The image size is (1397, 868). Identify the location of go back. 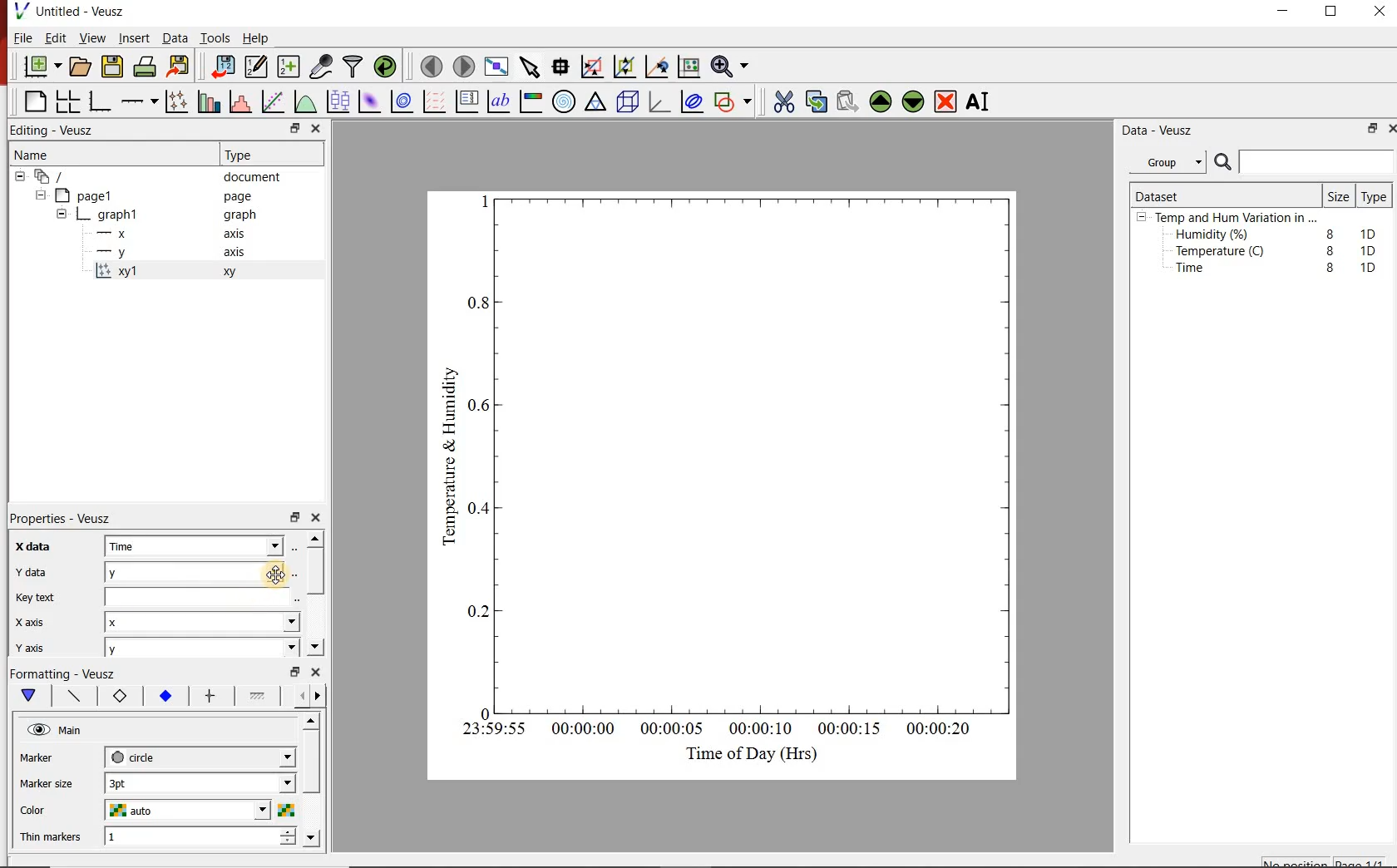
(296, 694).